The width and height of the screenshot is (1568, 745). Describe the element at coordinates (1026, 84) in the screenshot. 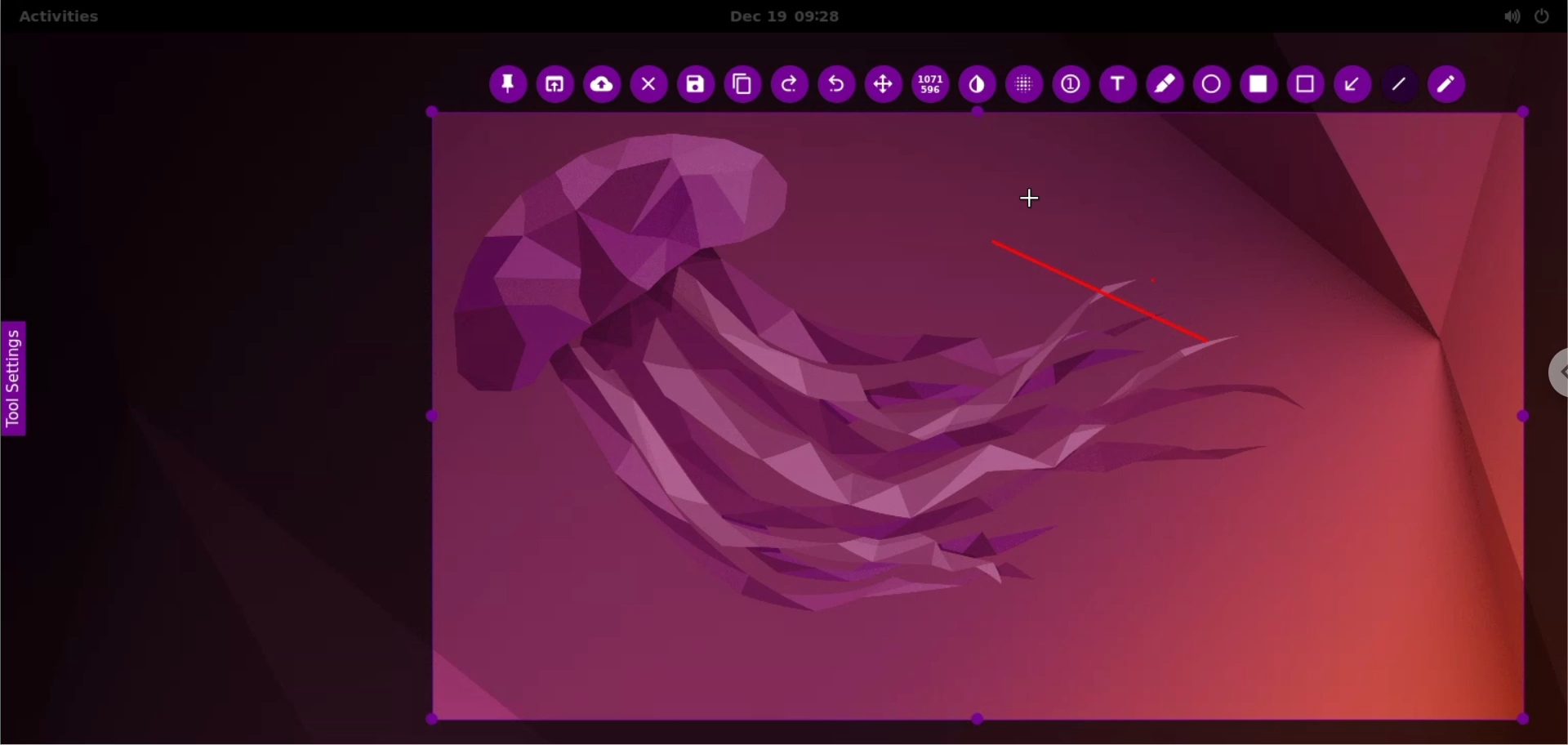

I see `pixellete ` at that location.